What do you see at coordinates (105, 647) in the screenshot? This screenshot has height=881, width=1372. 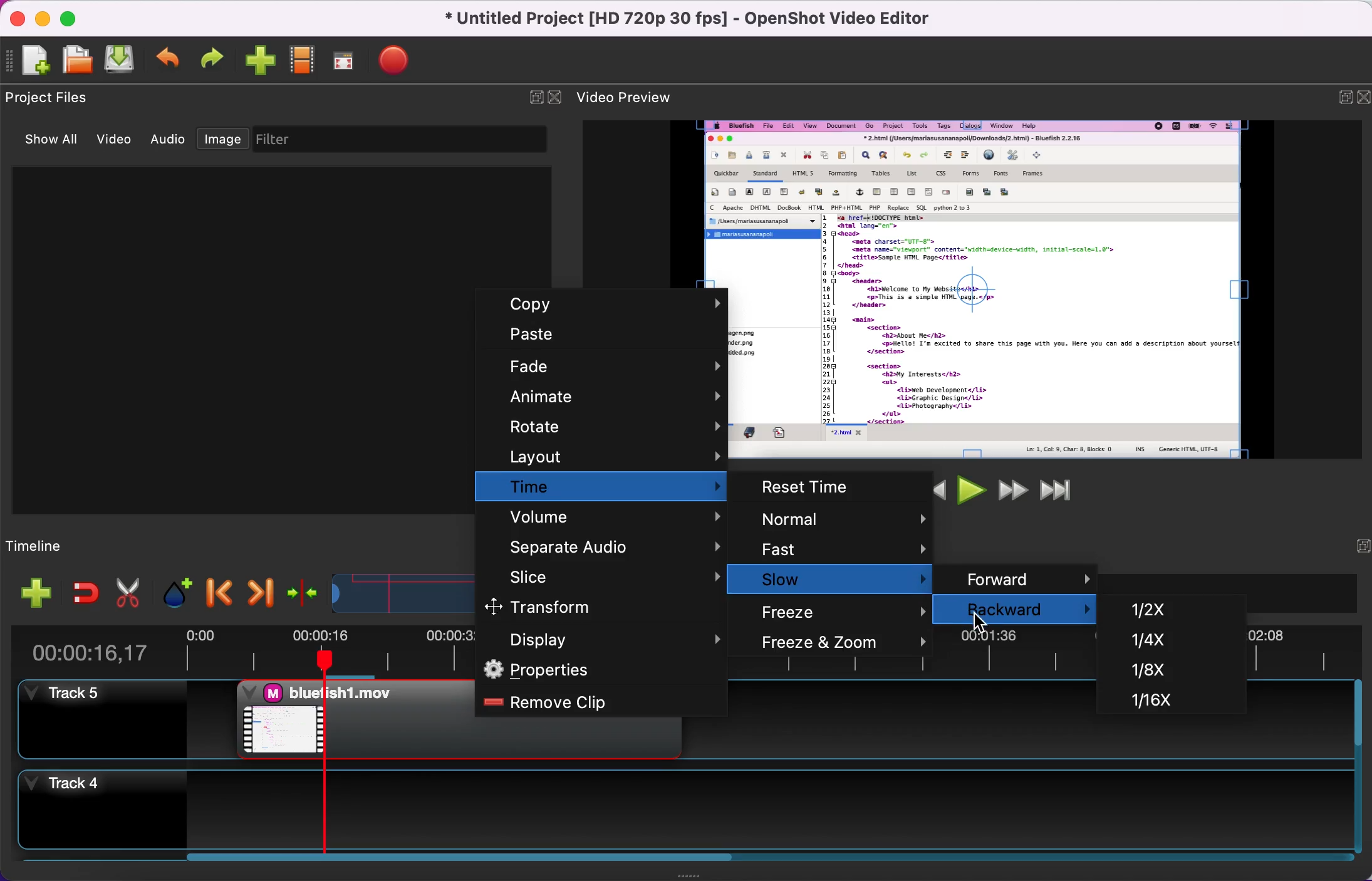 I see `time duration` at bounding box center [105, 647].